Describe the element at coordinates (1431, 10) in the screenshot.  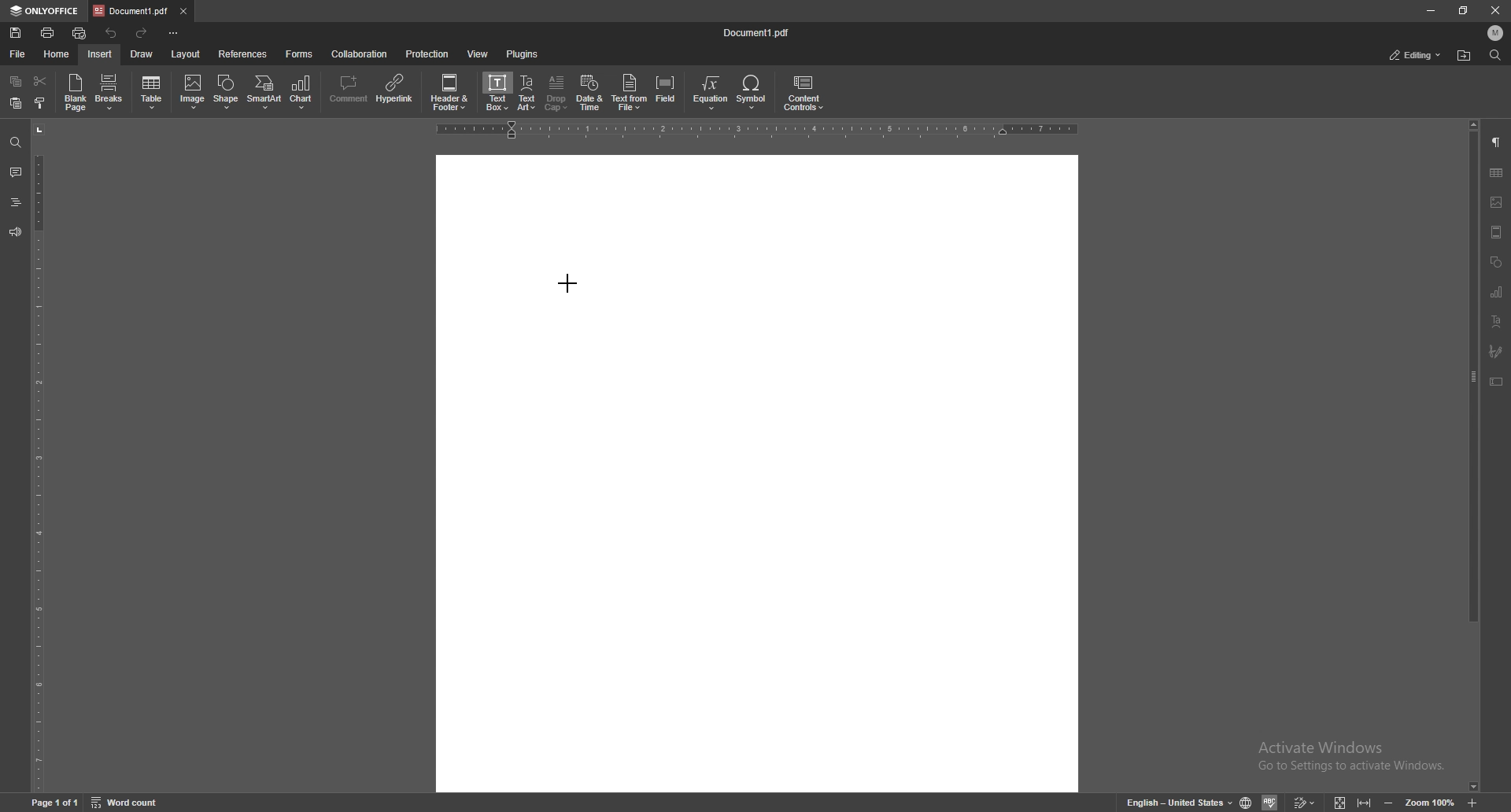
I see `minimize` at that location.